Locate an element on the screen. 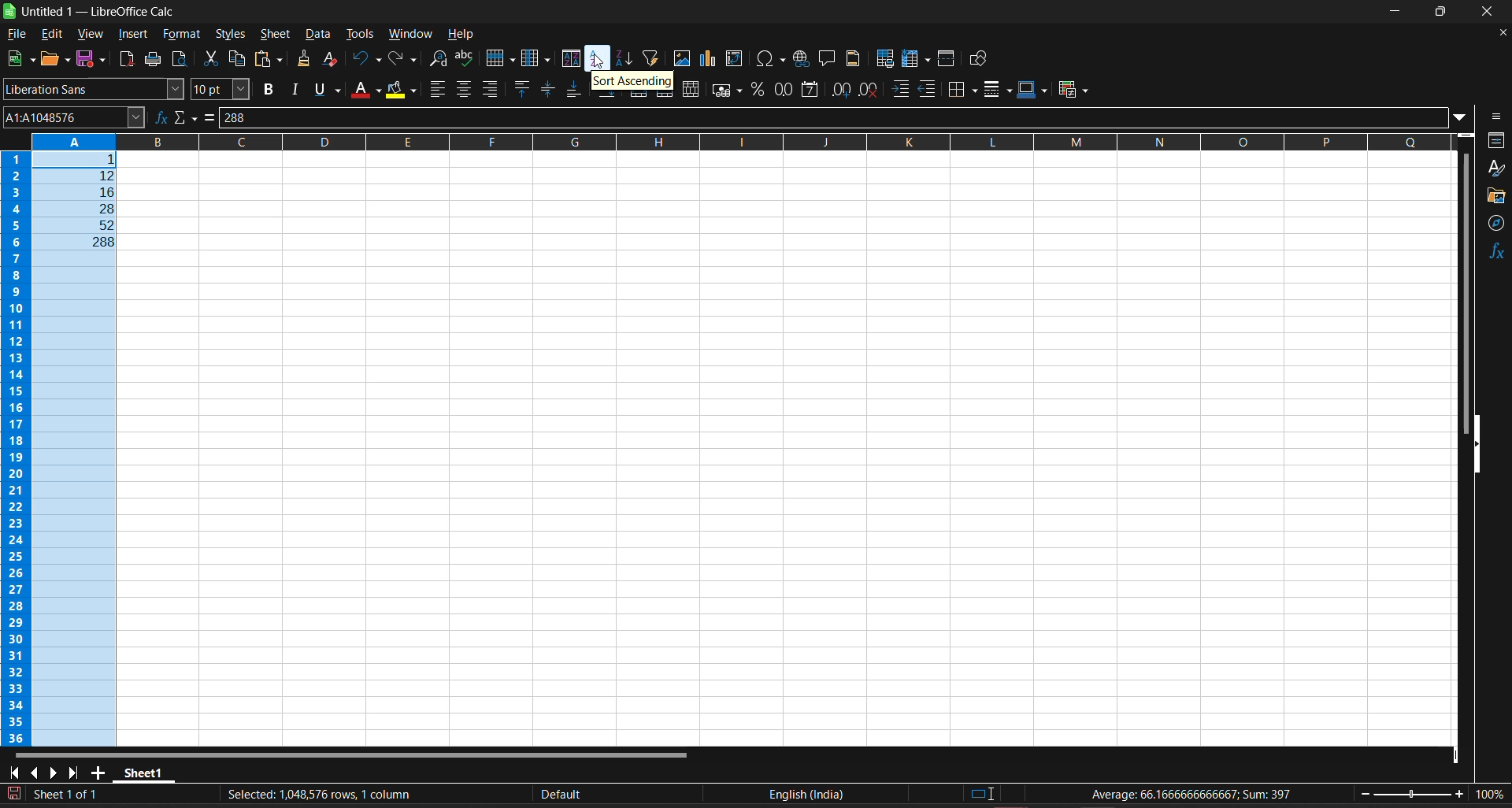  find and replace is located at coordinates (436, 58).